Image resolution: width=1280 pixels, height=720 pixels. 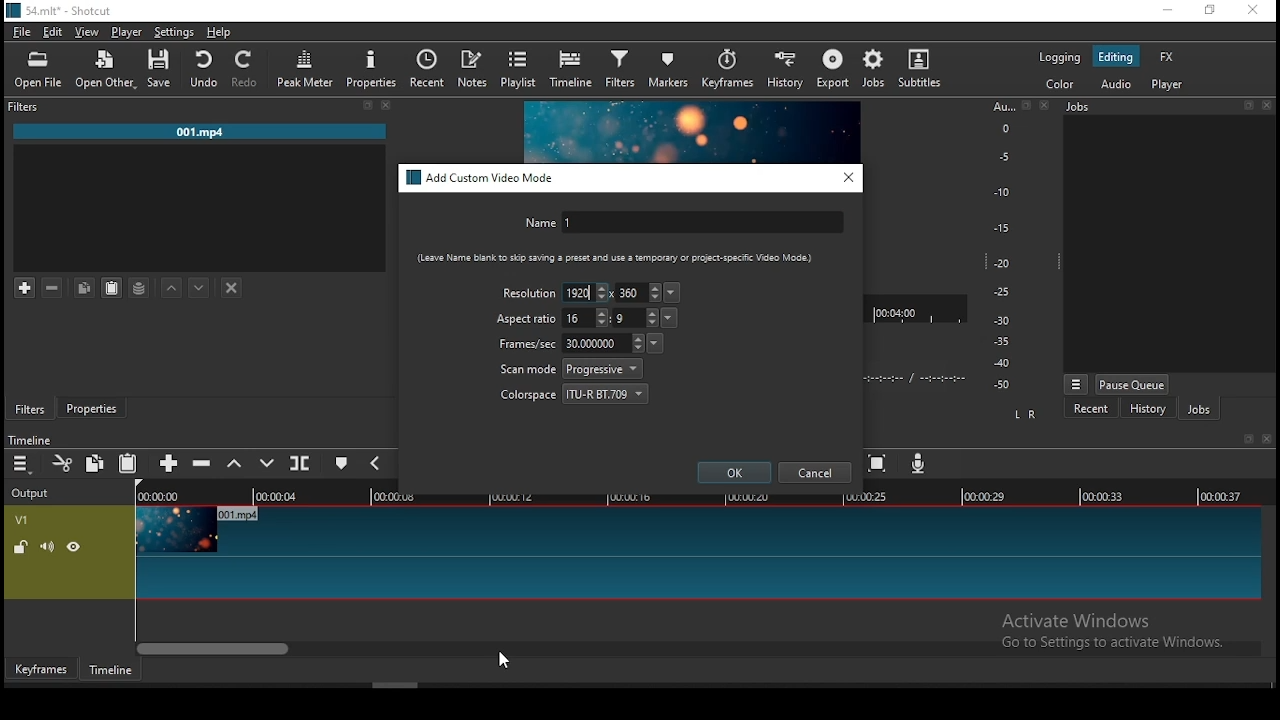 What do you see at coordinates (1080, 106) in the screenshot?
I see `jobs` at bounding box center [1080, 106].